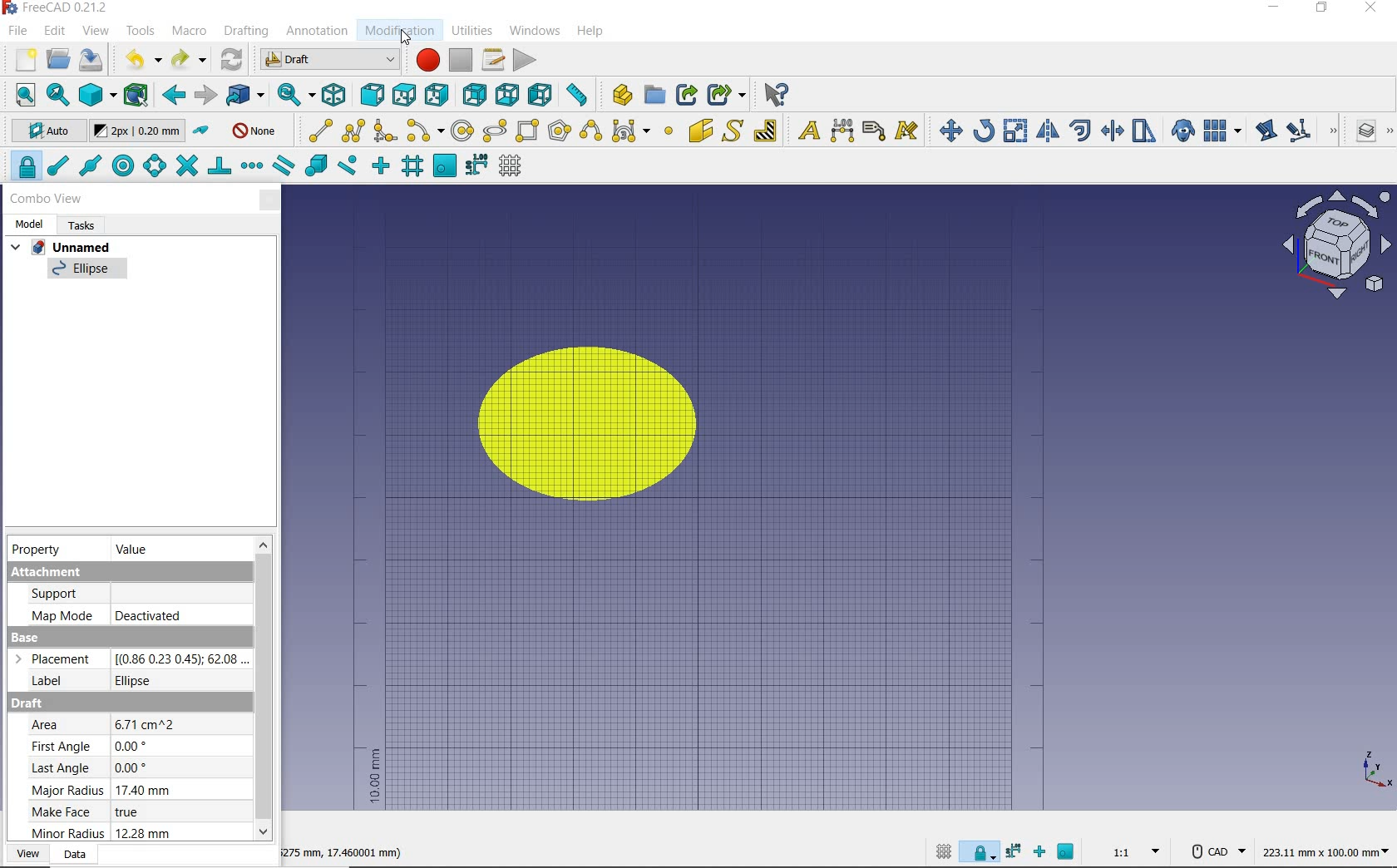 This screenshot has height=868, width=1397. What do you see at coordinates (185, 167) in the screenshot?
I see `snap intersection` at bounding box center [185, 167].